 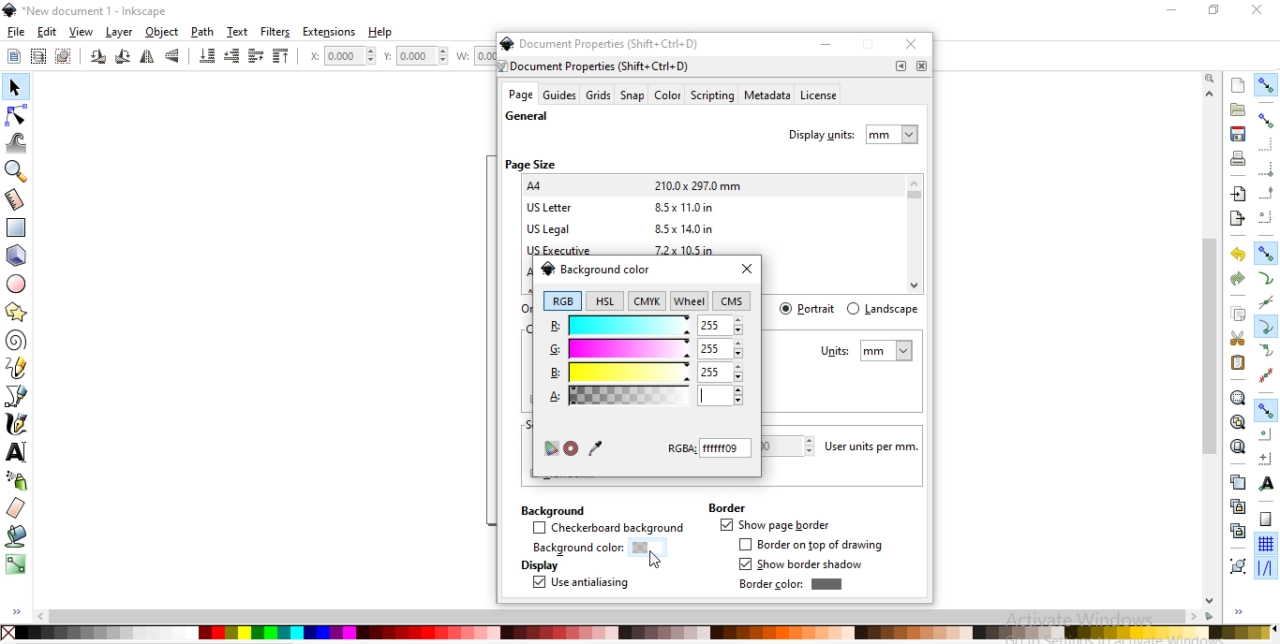 I want to click on flip vertically, so click(x=173, y=57).